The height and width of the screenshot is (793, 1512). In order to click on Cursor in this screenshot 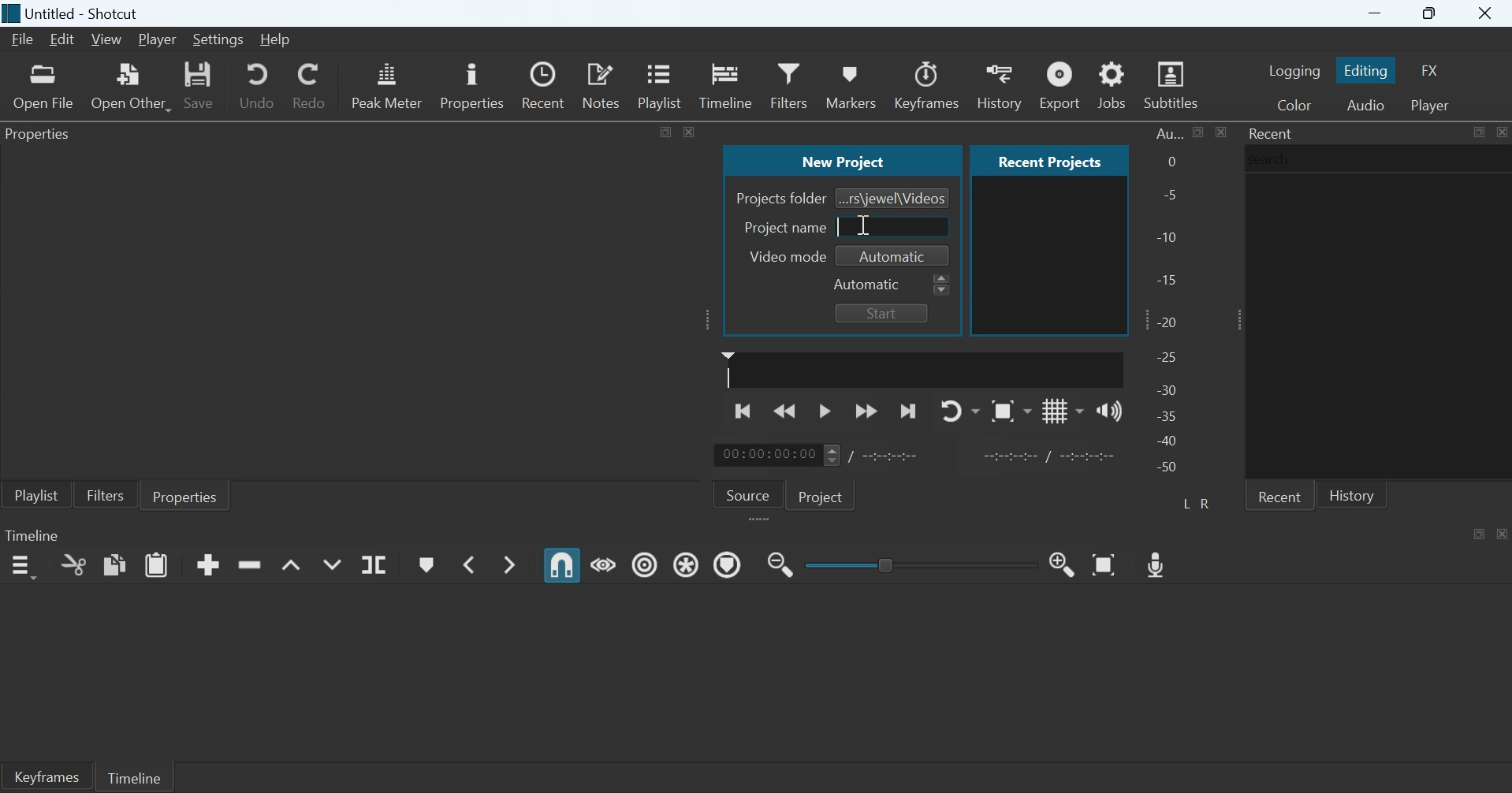, I will do `click(861, 225)`.